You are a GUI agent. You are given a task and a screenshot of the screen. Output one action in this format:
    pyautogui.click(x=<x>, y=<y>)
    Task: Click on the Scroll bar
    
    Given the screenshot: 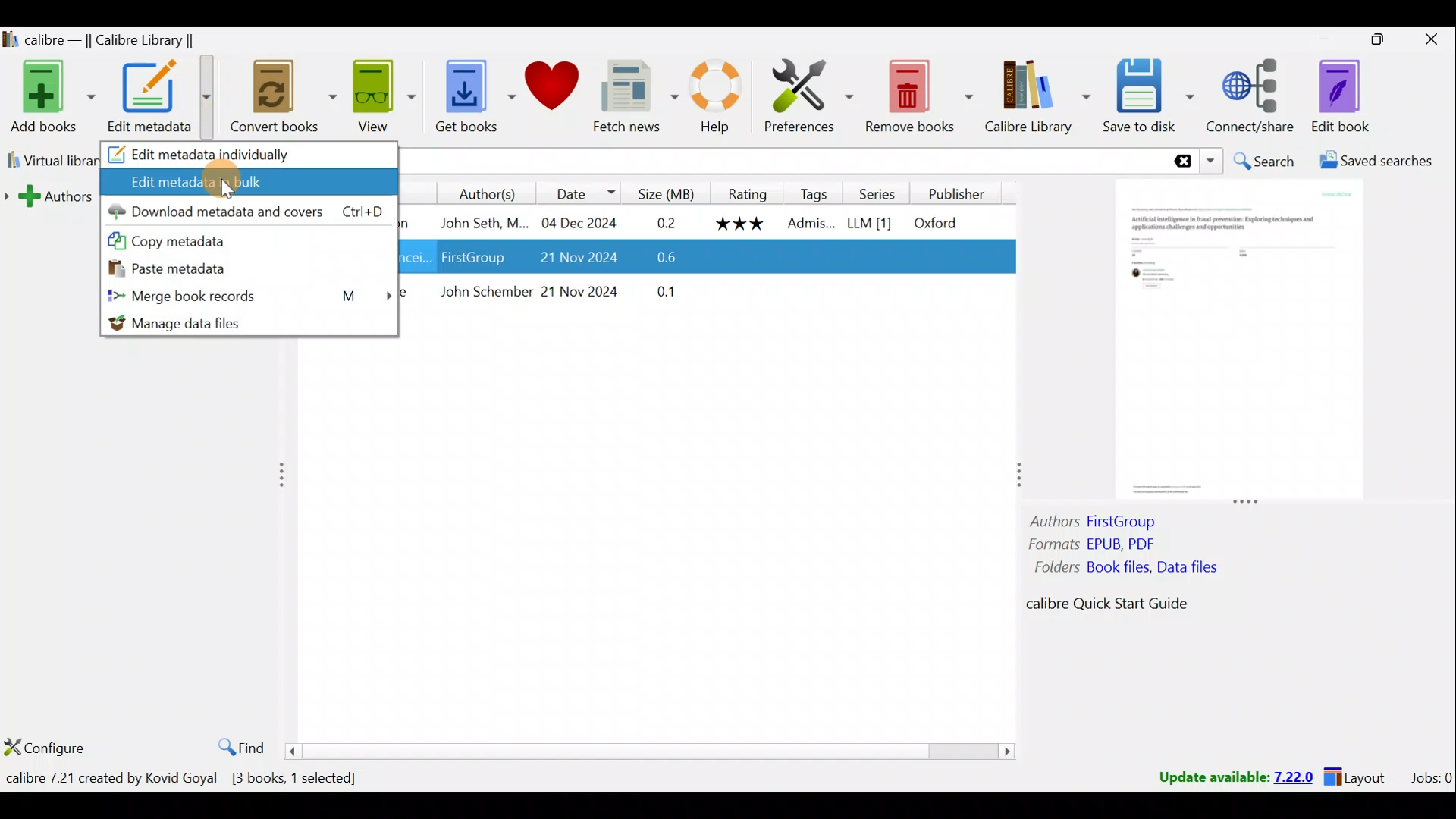 What is the action you would take?
    pyautogui.click(x=657, y=750)
    